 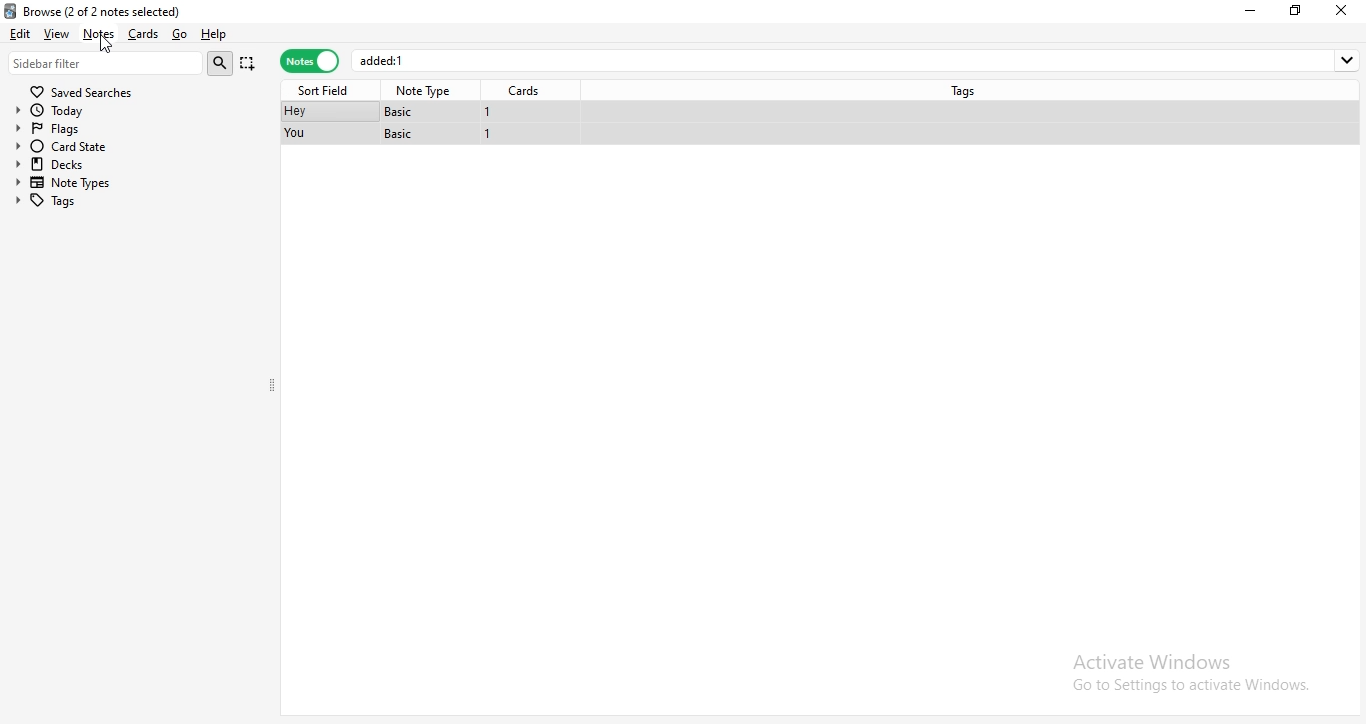 I want to click on cards, so click(x=141, y=34).